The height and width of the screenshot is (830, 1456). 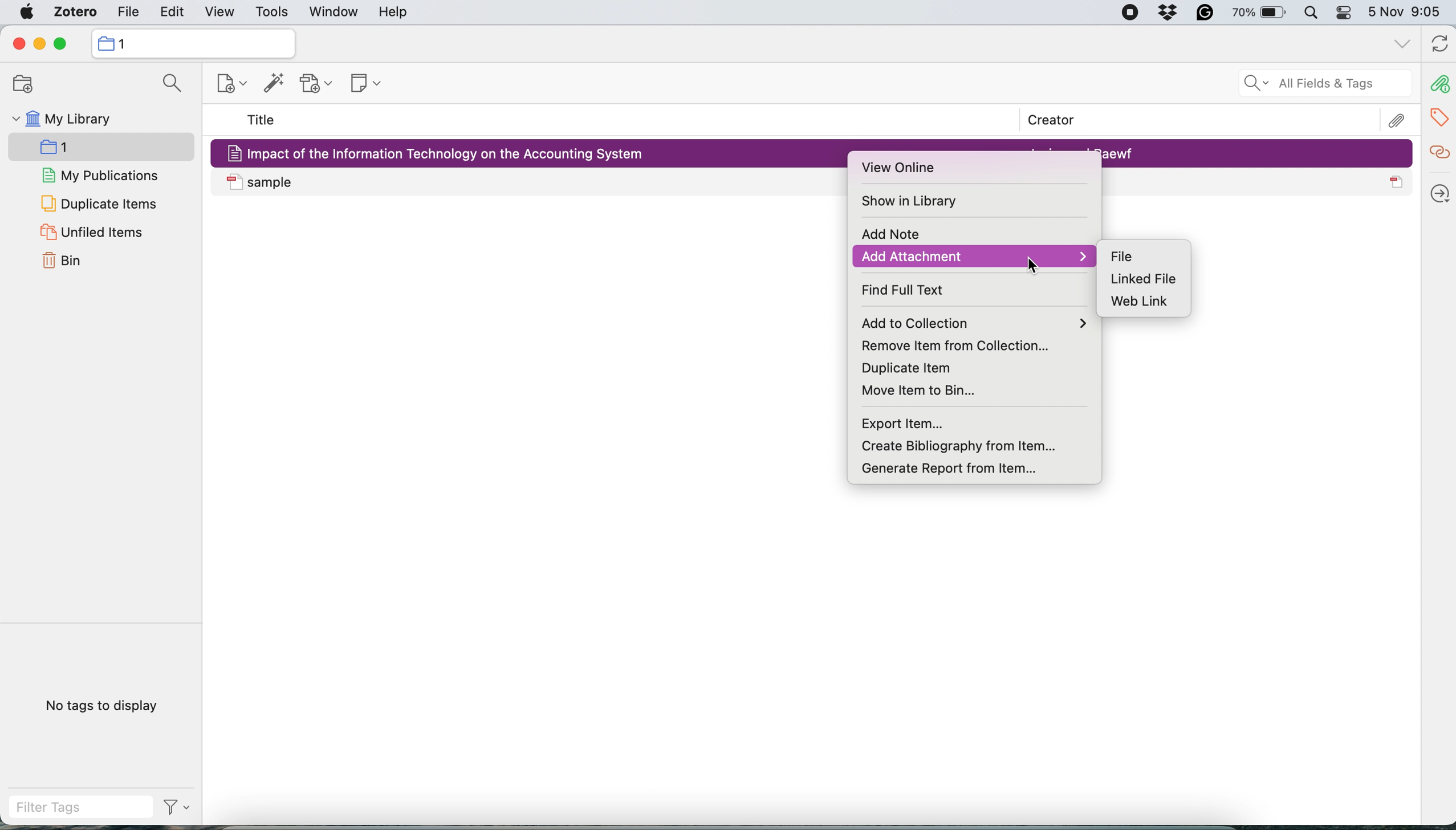 What do you see at coordinates (1143, 280) in the screenshot?
I see `linked file` at bounding box center [1143, 280].